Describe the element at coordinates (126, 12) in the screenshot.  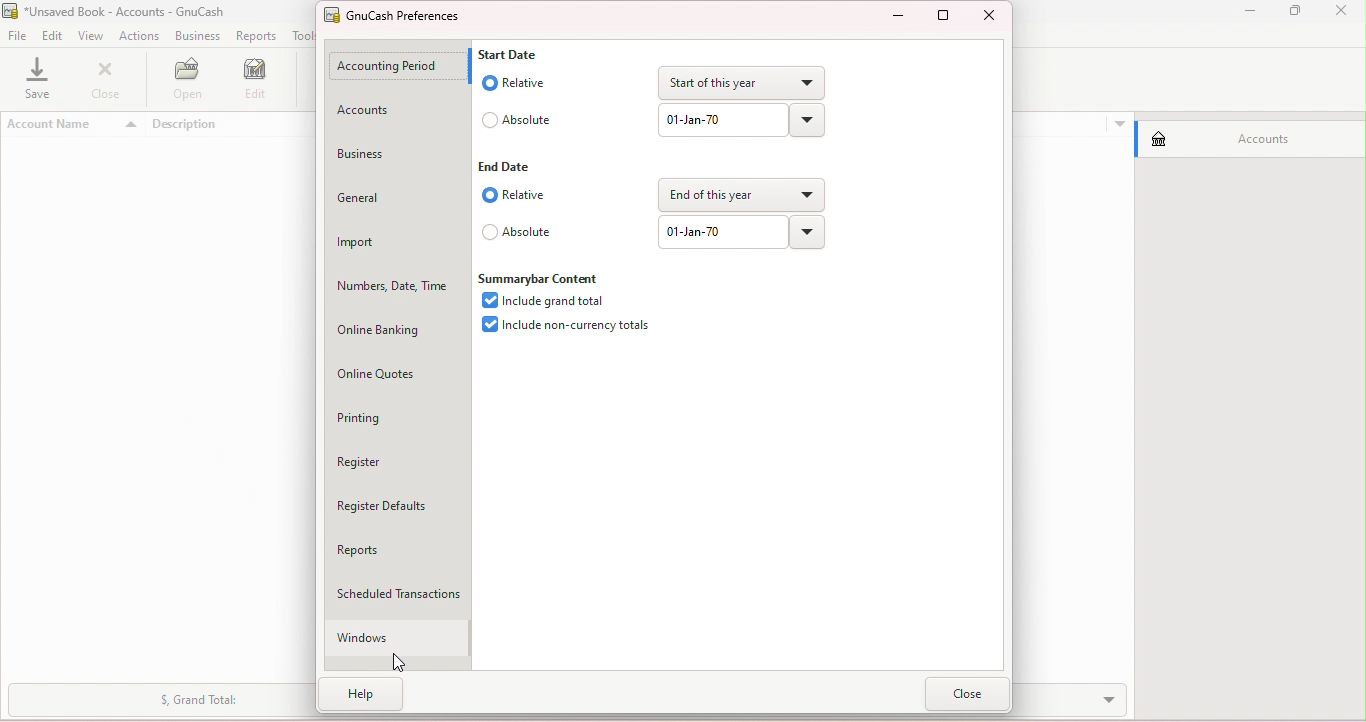
I see `File name` at that location.